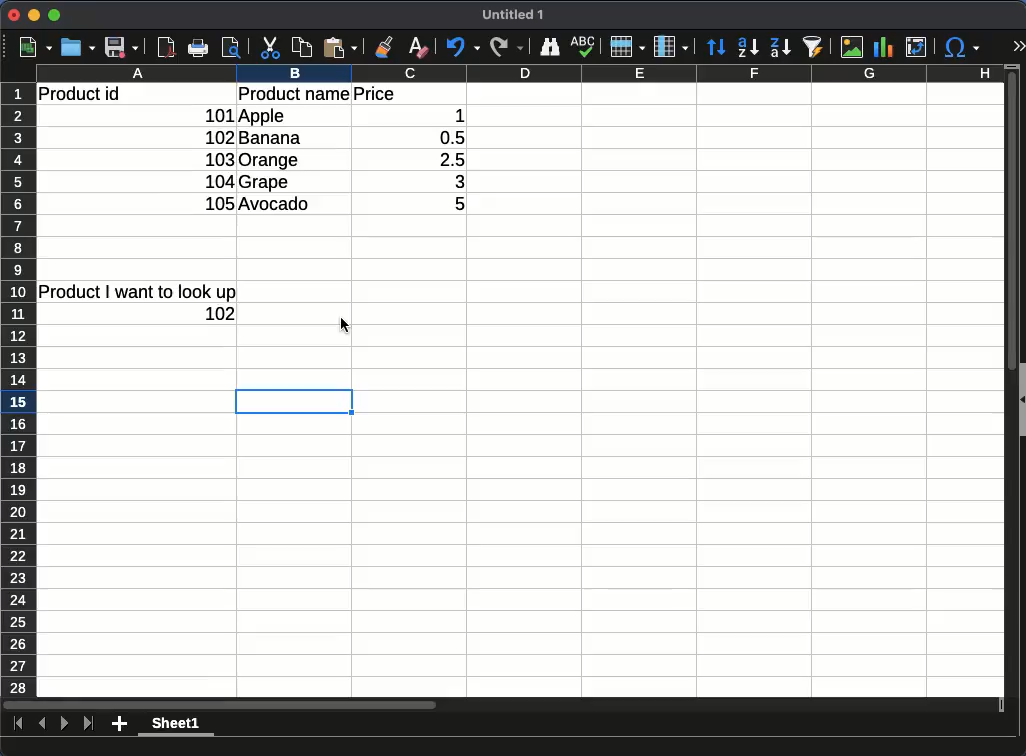 This screenshot has width=1026, height=756. What do you see at coordinates (917, 47) in the screenshot?
I see `pivot table` at bounding box center [917, 47].